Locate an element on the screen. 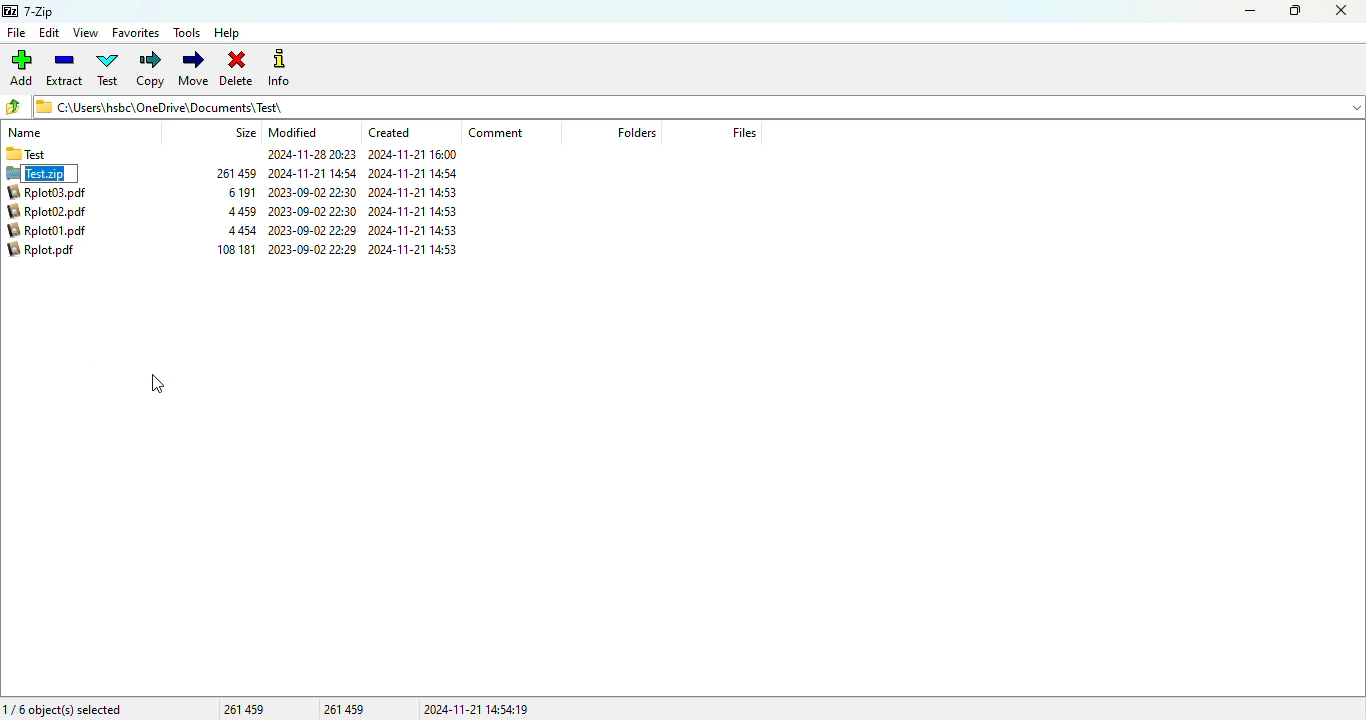 This screenshot has width=1366, height=720. view is located at coordinates (85, 32).